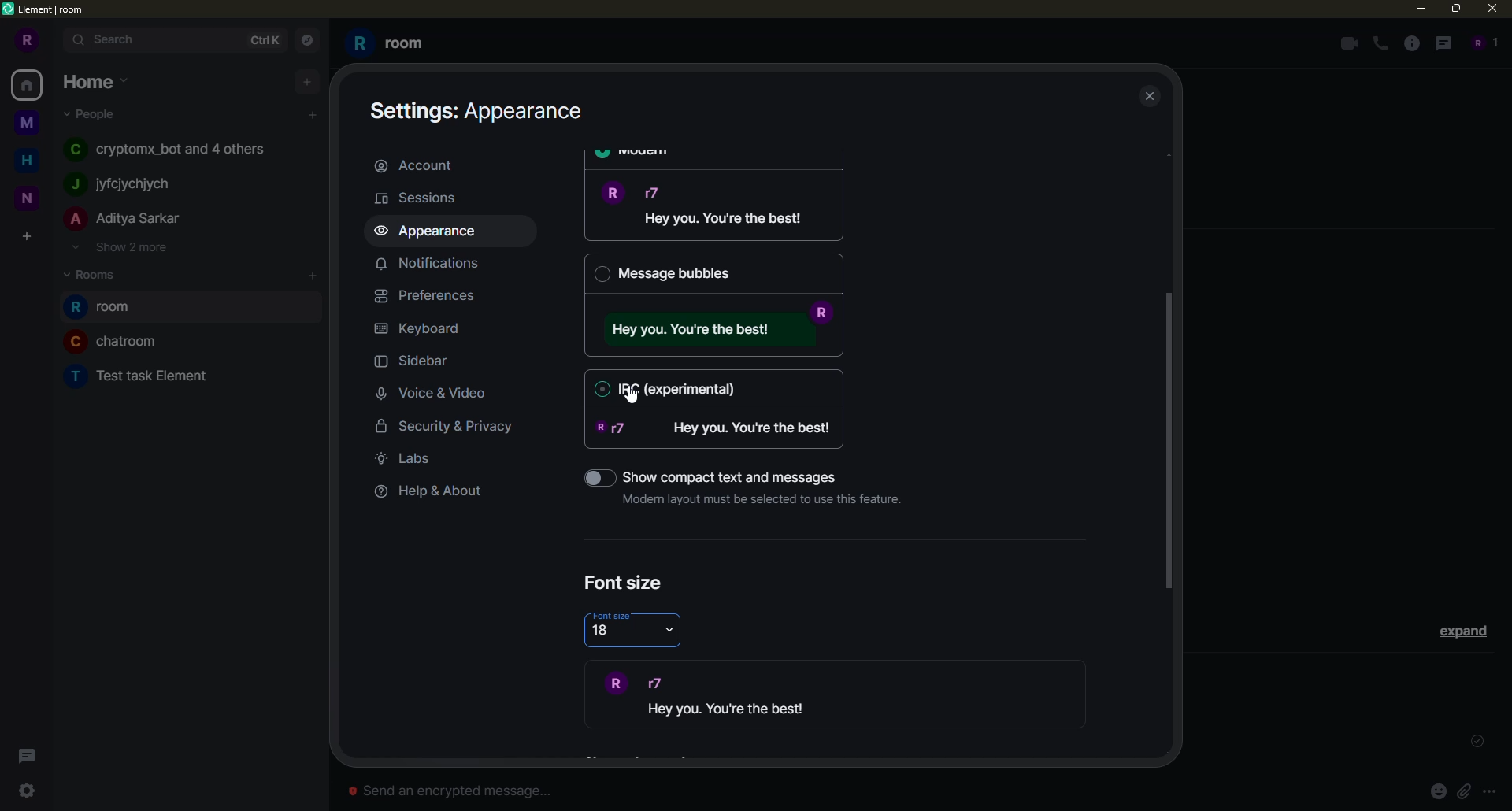 This screenshot has height=811, width=1512. Describe the element at coordinates (1383, 44) in the screenshot. I see `voice call` at that location.